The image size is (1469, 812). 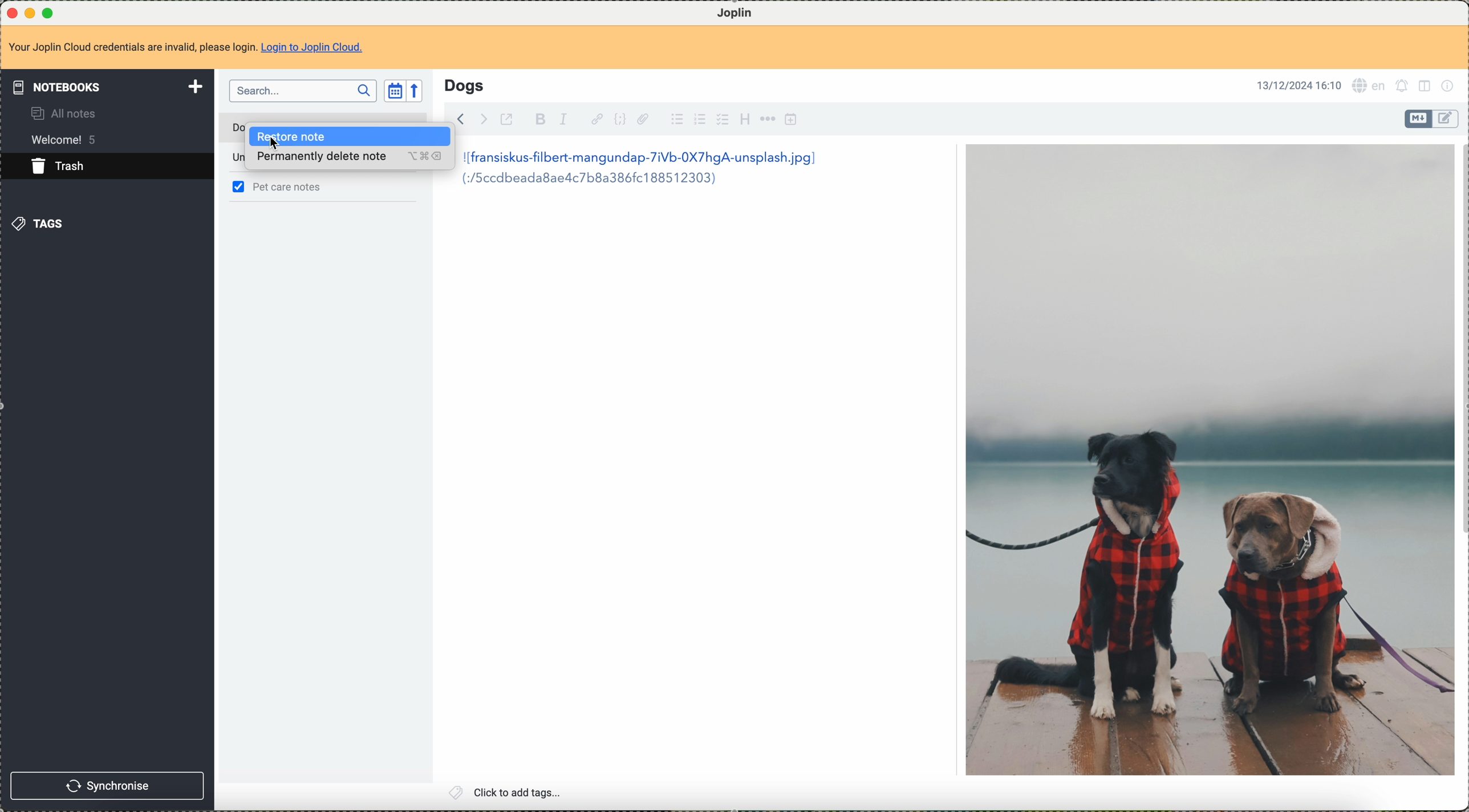 What do you see at coordinates (510, 119) in the screenshot?
I see `toggle external editing` at bounding box center [510, 119].